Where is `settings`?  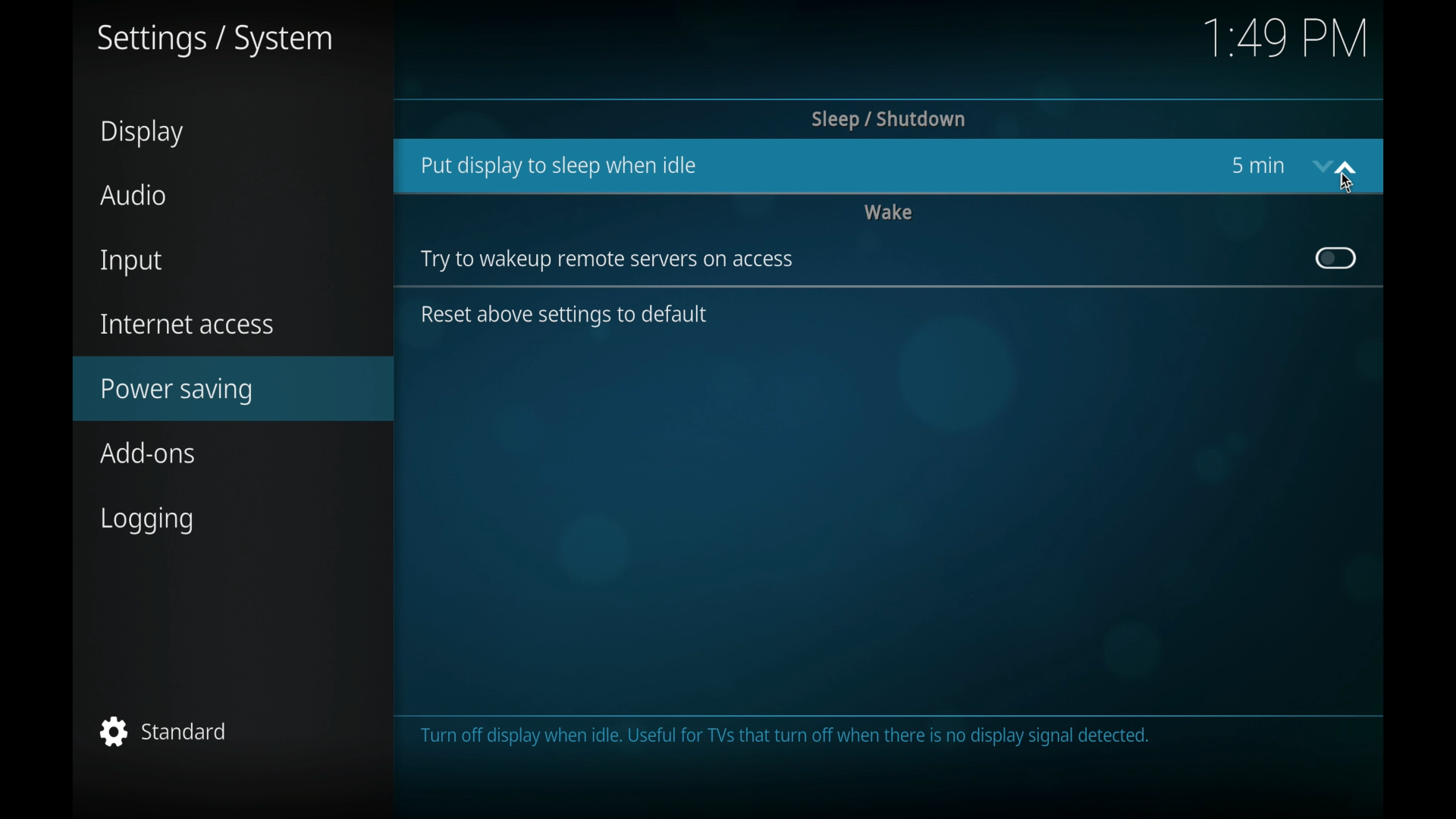
settings is located at coordinates (215, 40).